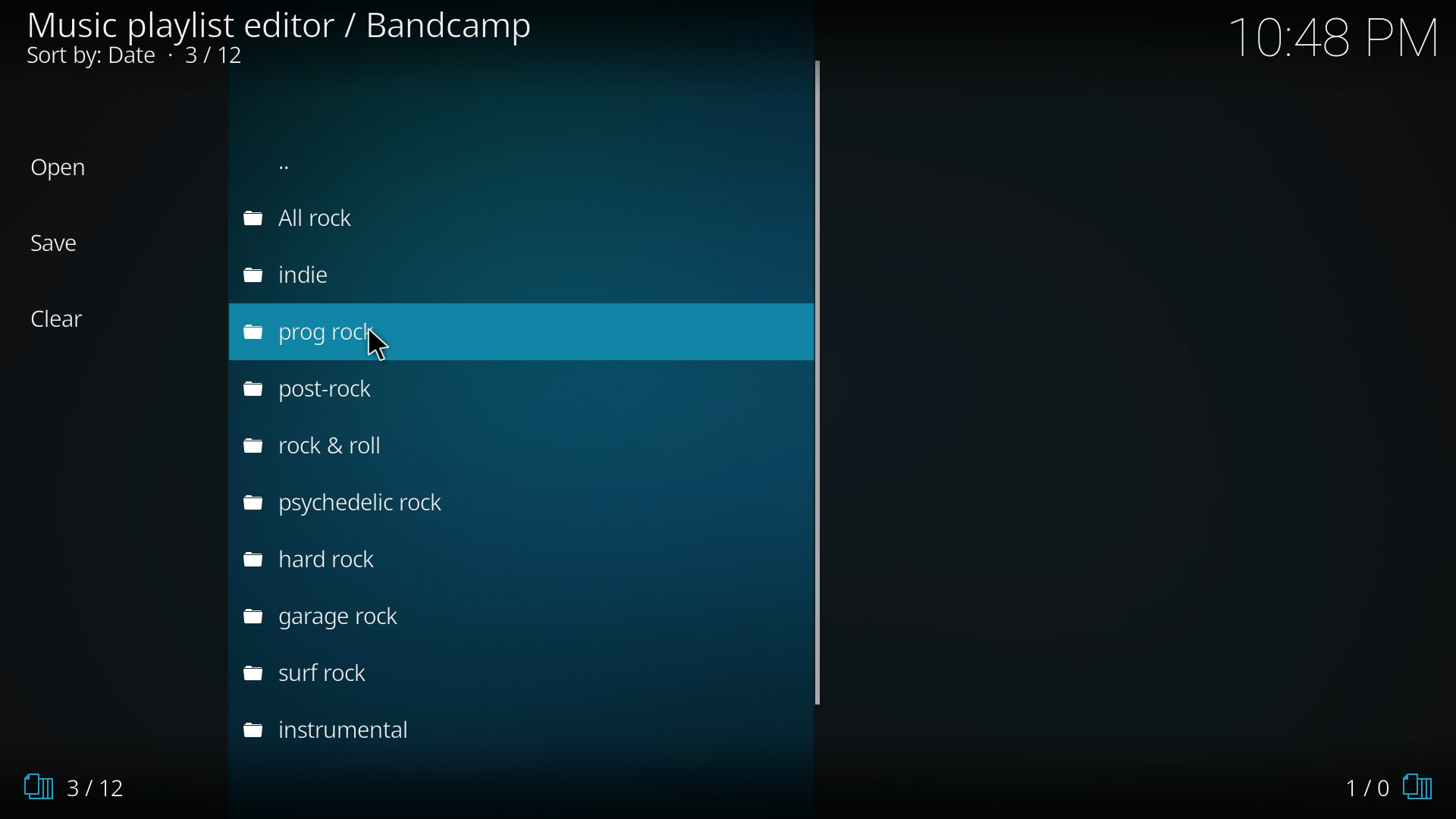 This screenshot has height=819, width=1456. Describe the element at coordinates (387, 346) in the screenshot. I see `Cursor` at that location.